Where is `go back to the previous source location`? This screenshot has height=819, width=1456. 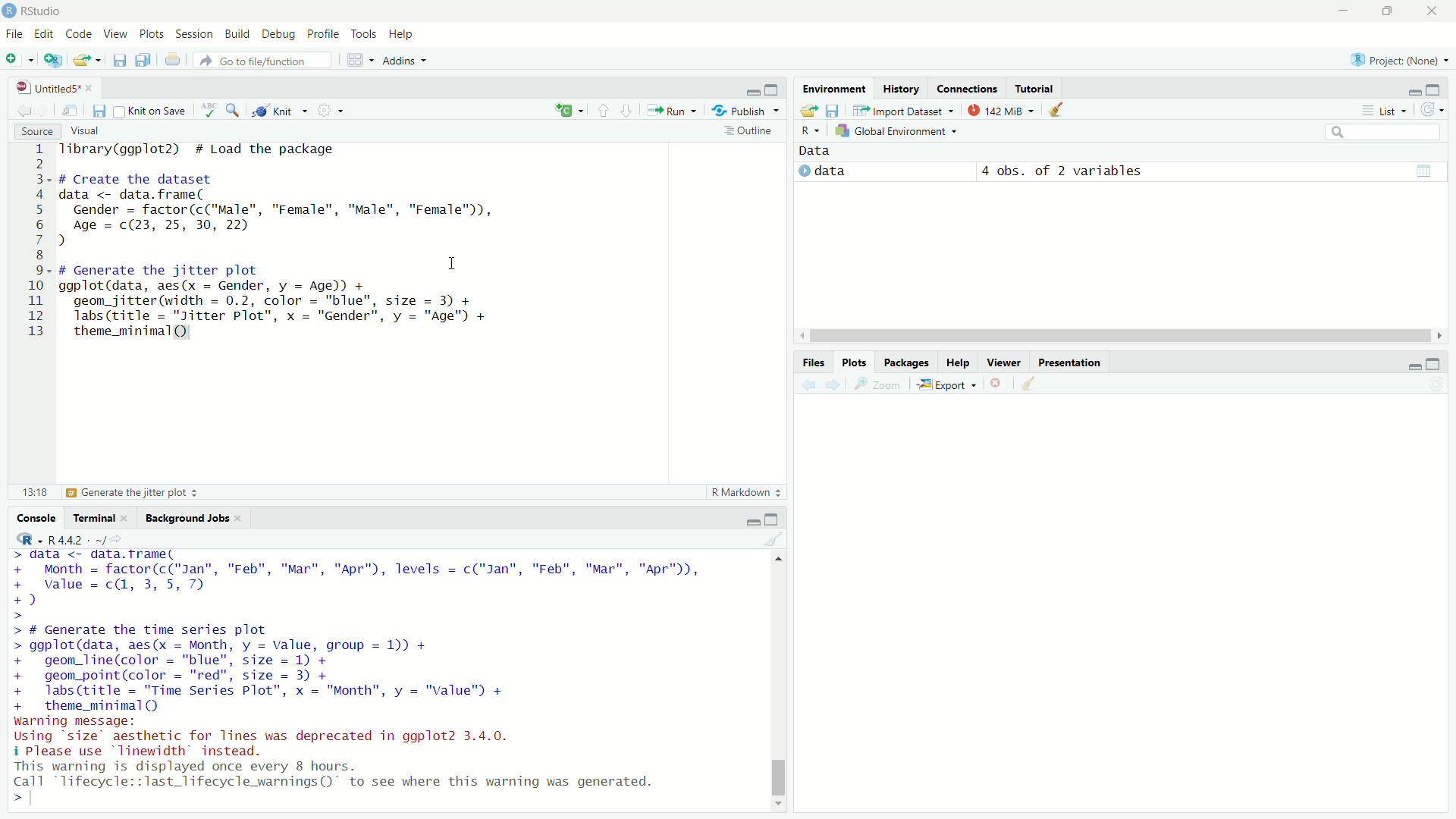
go back to the previous source location is located at coordinates (17, 108).